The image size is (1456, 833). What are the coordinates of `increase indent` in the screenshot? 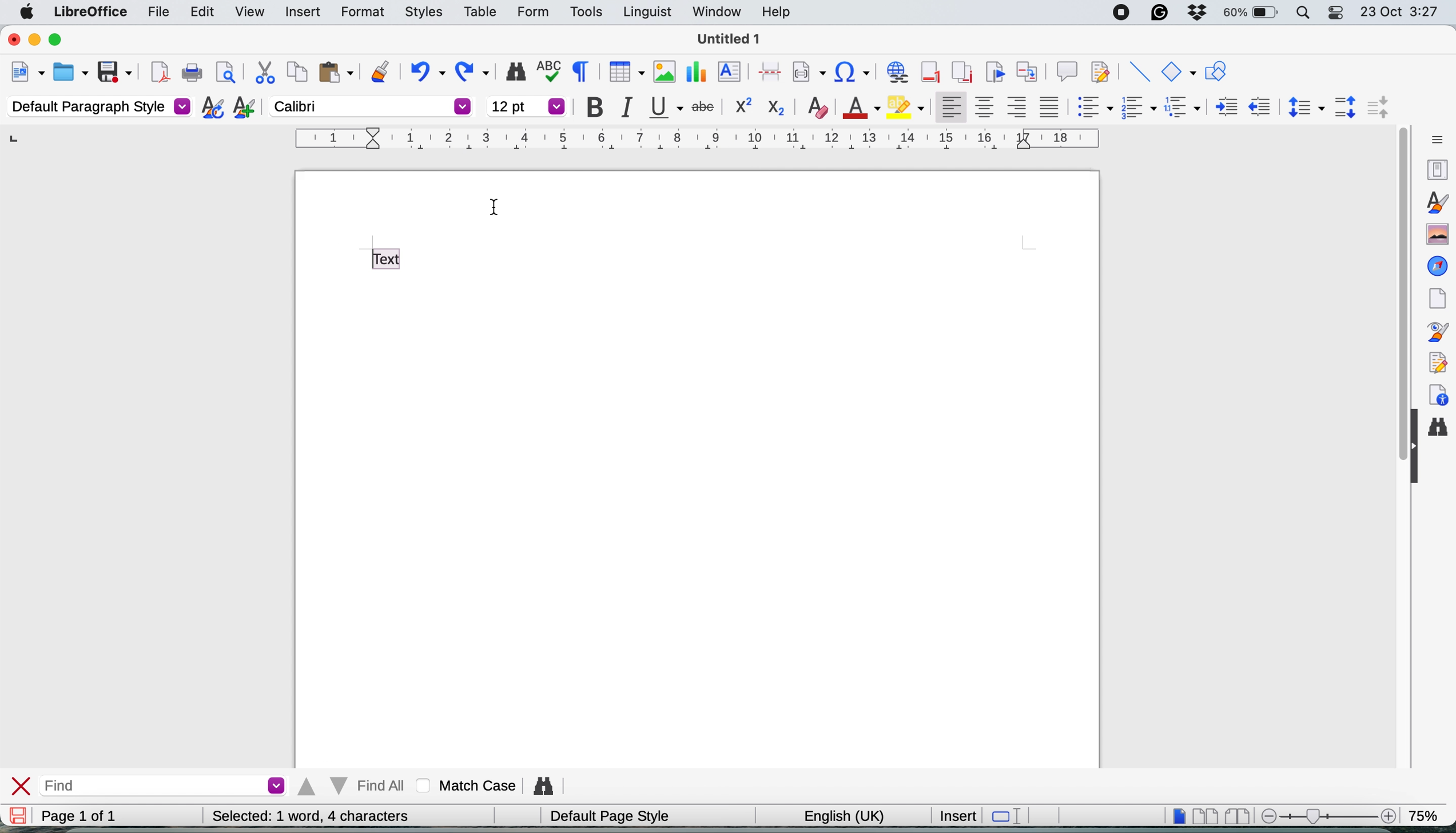 It's located at (1220, 107).